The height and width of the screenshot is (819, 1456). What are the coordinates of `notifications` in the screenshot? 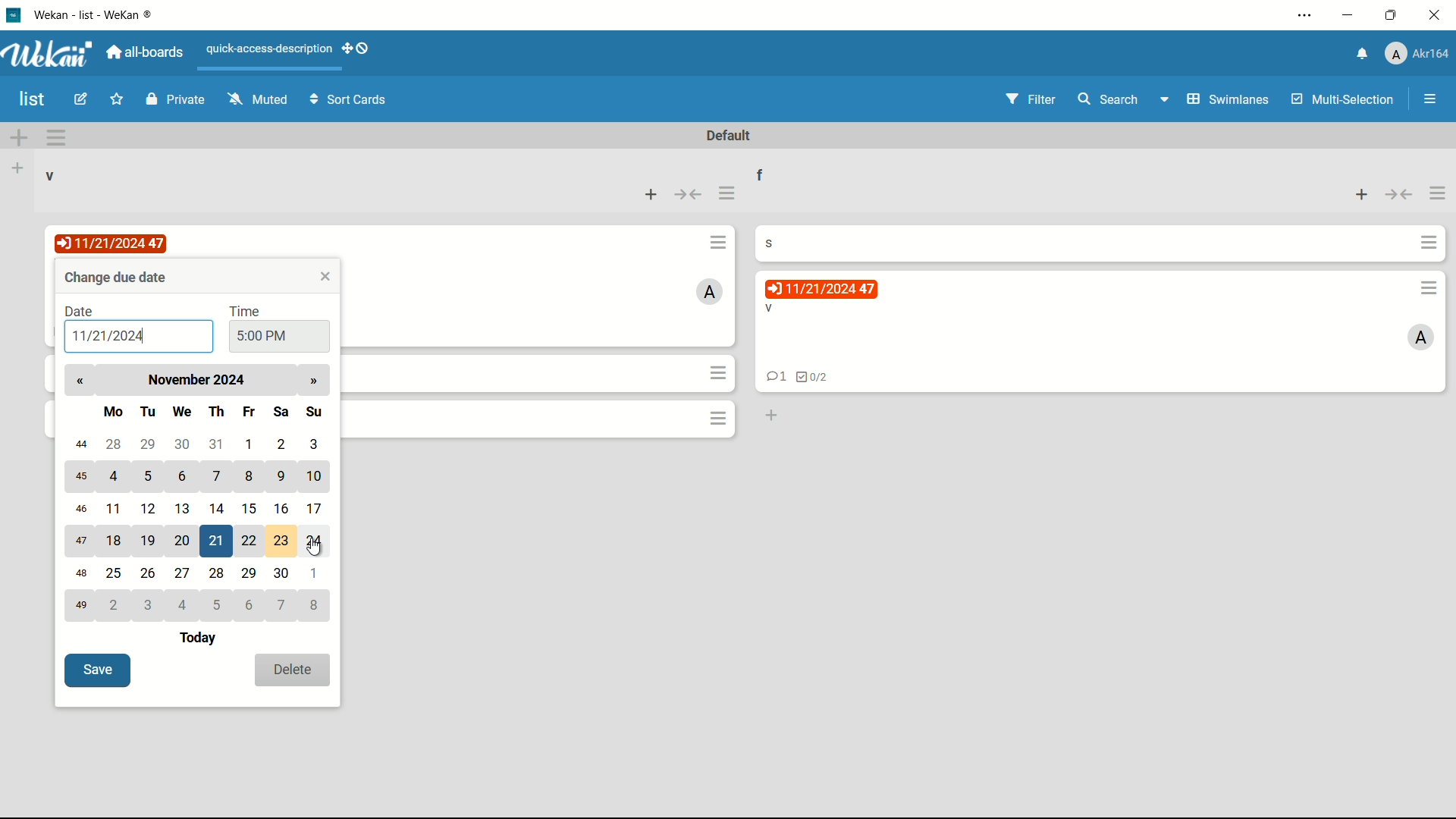 It's located at (1363, 55).